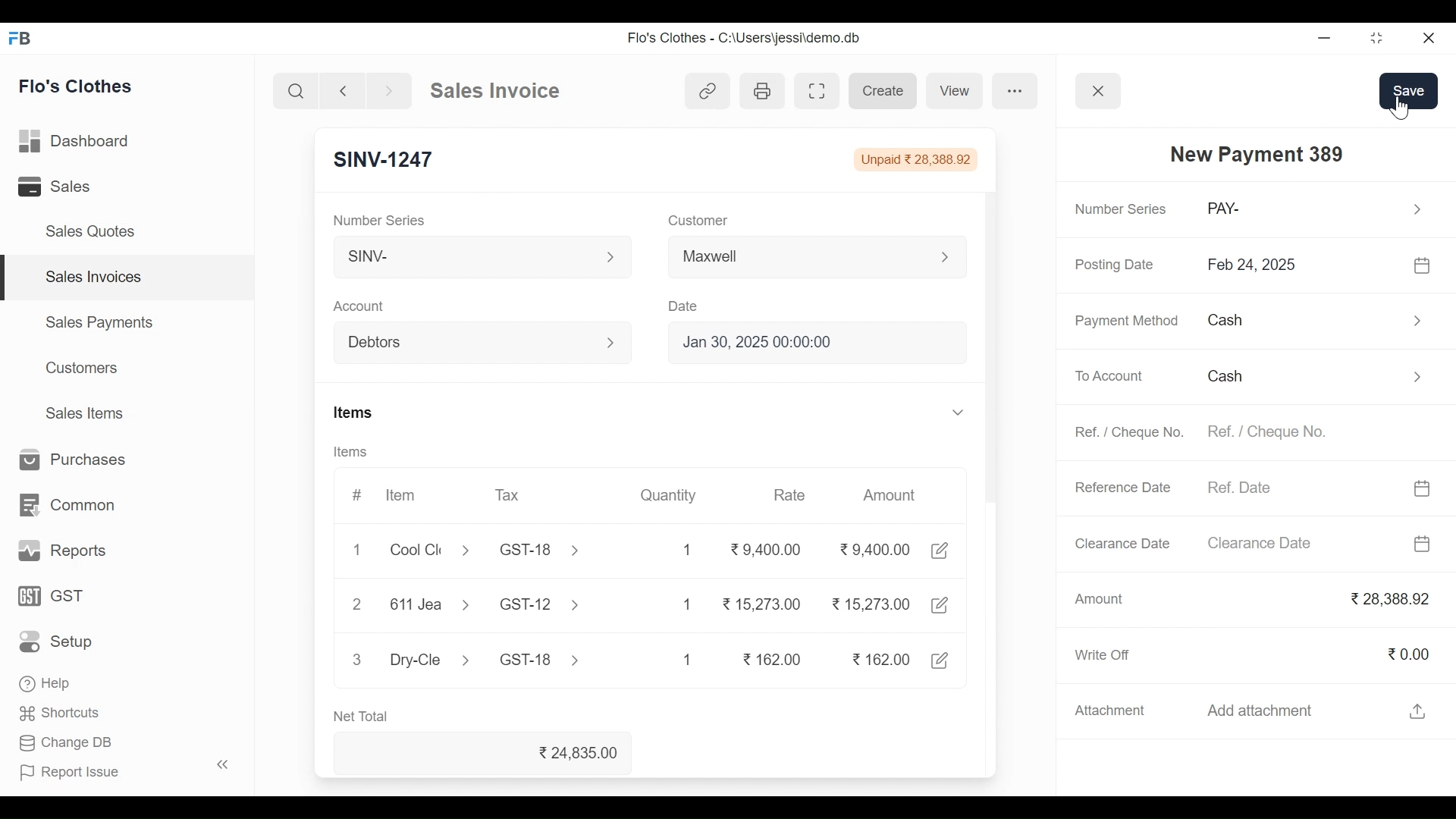 The width and height of the screenshot is (1456, 819). Describe the element at coordinates (871, 605) in the screenshot. I see `15,273.00` at that location.